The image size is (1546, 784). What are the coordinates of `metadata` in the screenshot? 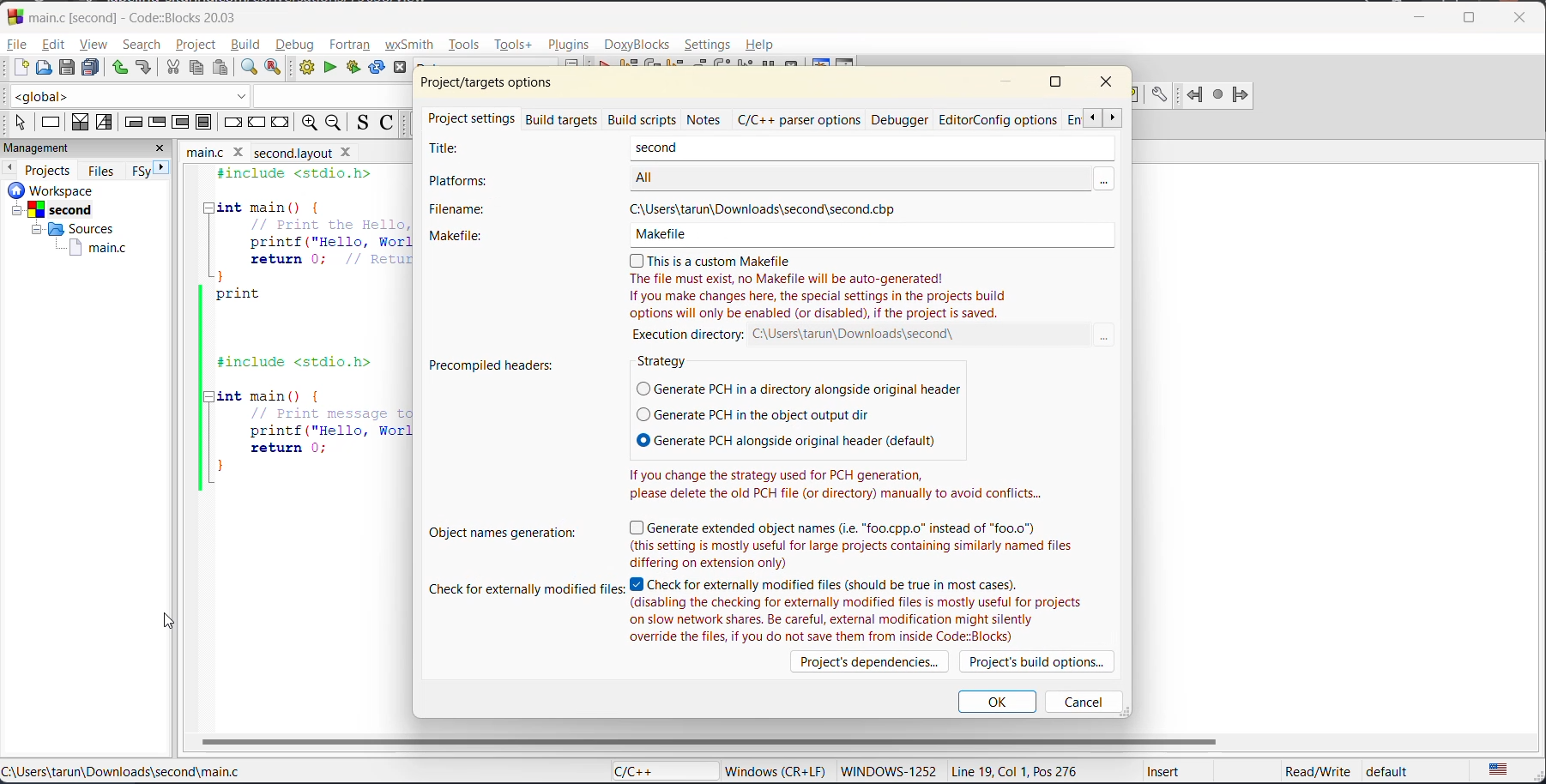 It's located at (1070, 772).